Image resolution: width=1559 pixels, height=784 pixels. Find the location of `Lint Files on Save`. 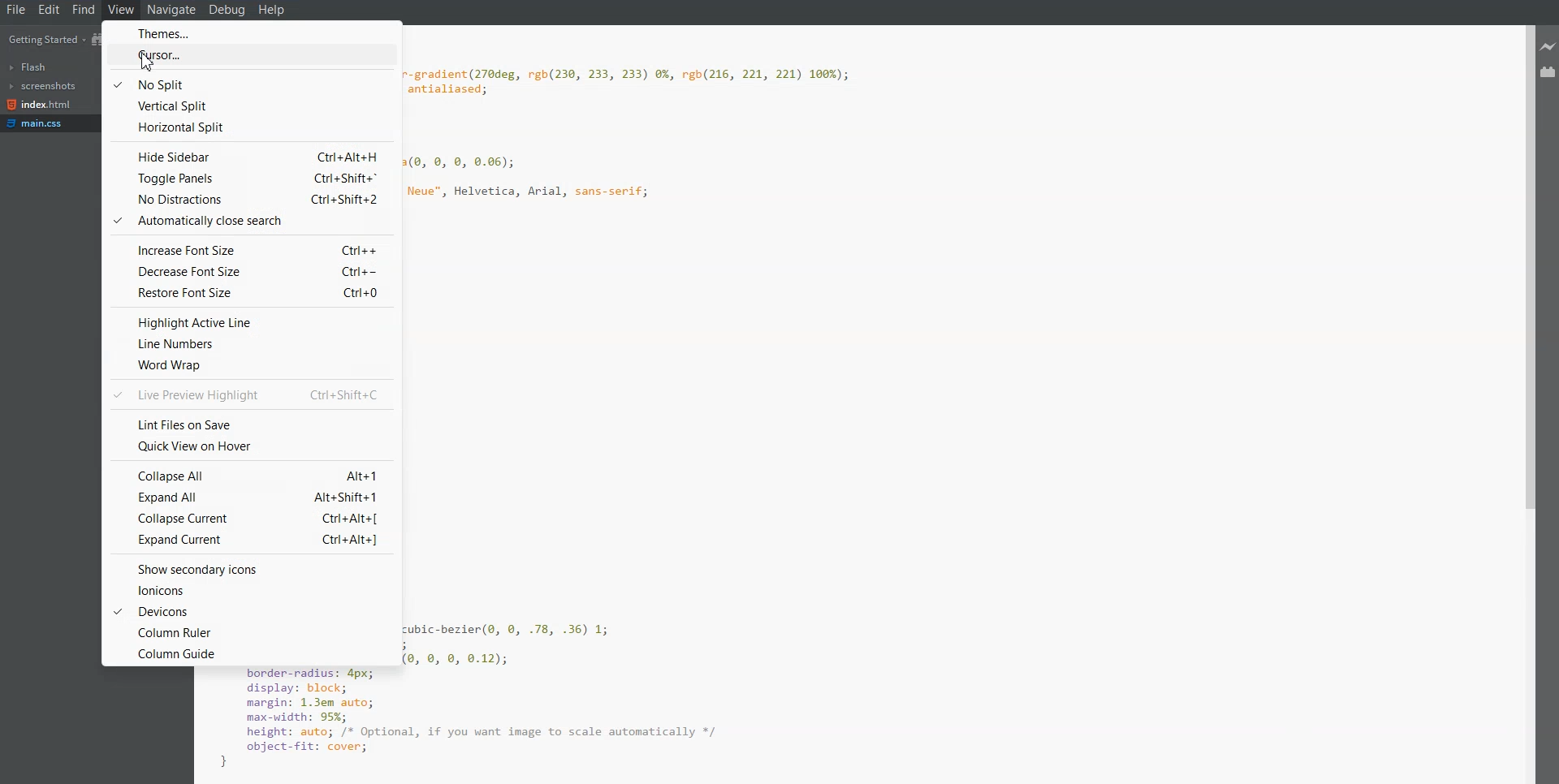

Lint Files on Save is located at coordinates (252, 422).